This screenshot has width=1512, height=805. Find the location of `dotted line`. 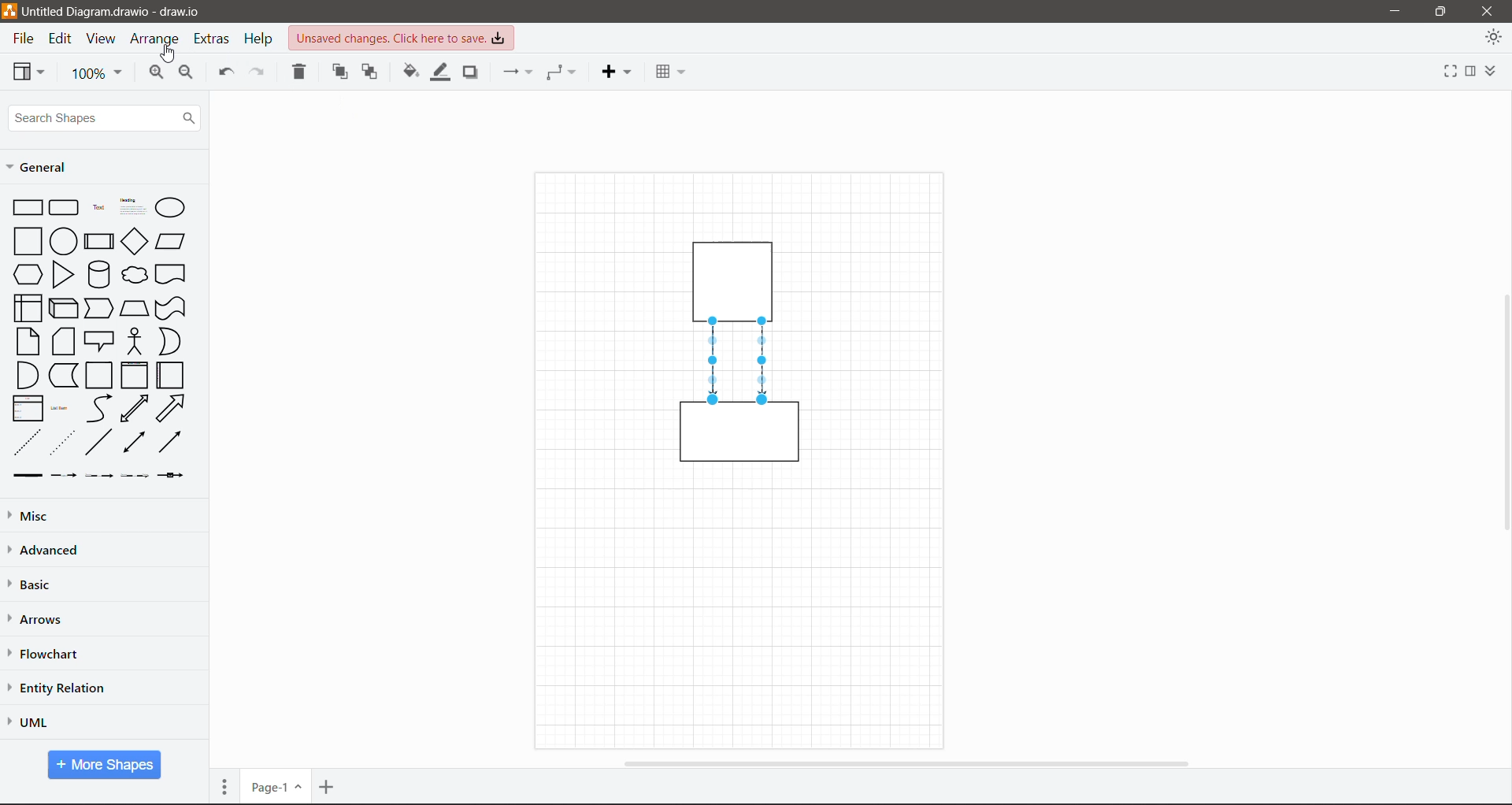

dotted line is located at coordinates (62, 442).